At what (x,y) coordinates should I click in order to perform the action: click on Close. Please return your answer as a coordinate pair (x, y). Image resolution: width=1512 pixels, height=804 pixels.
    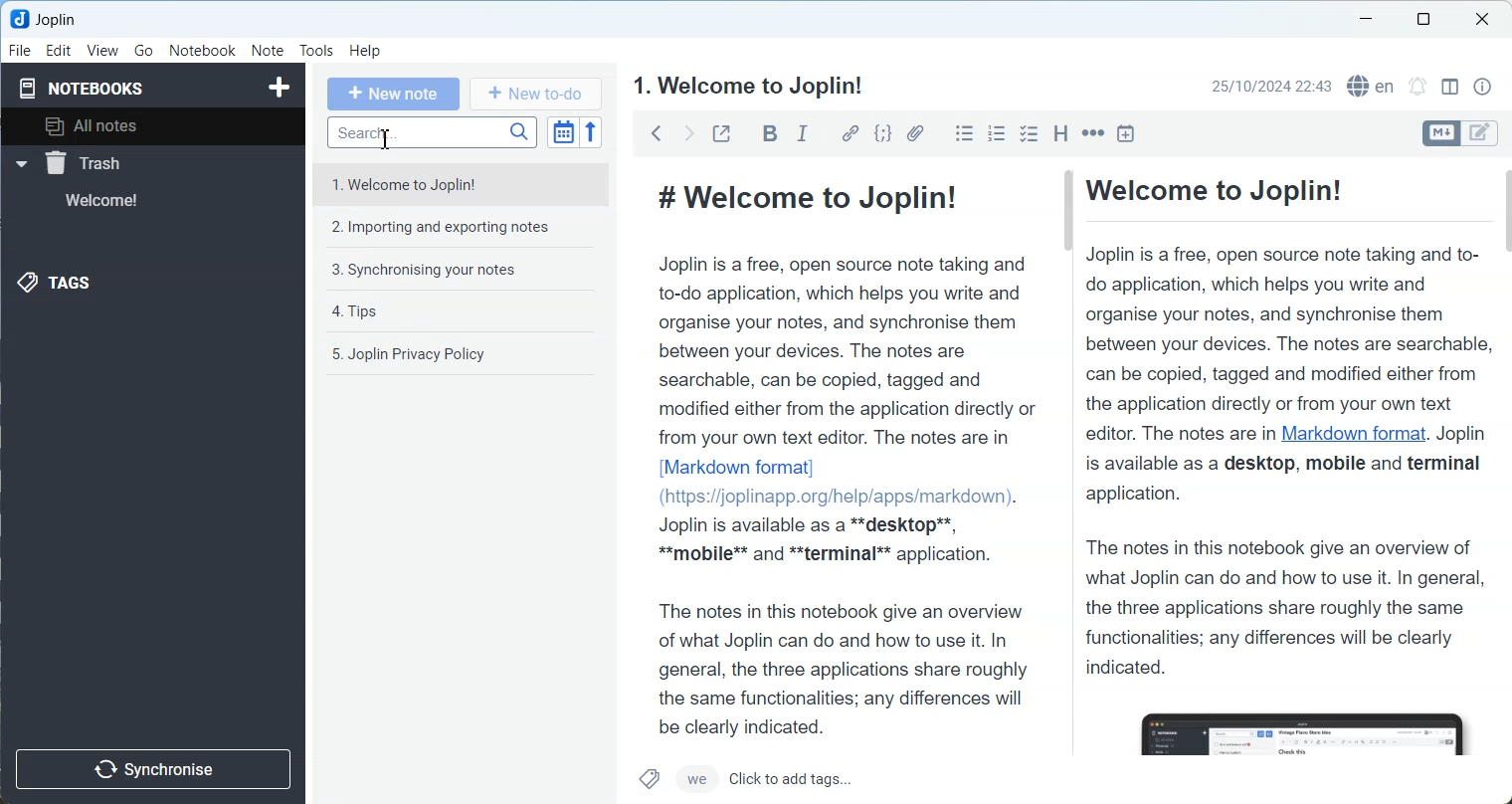
    Looking at the image, I should click on (1483, 18).